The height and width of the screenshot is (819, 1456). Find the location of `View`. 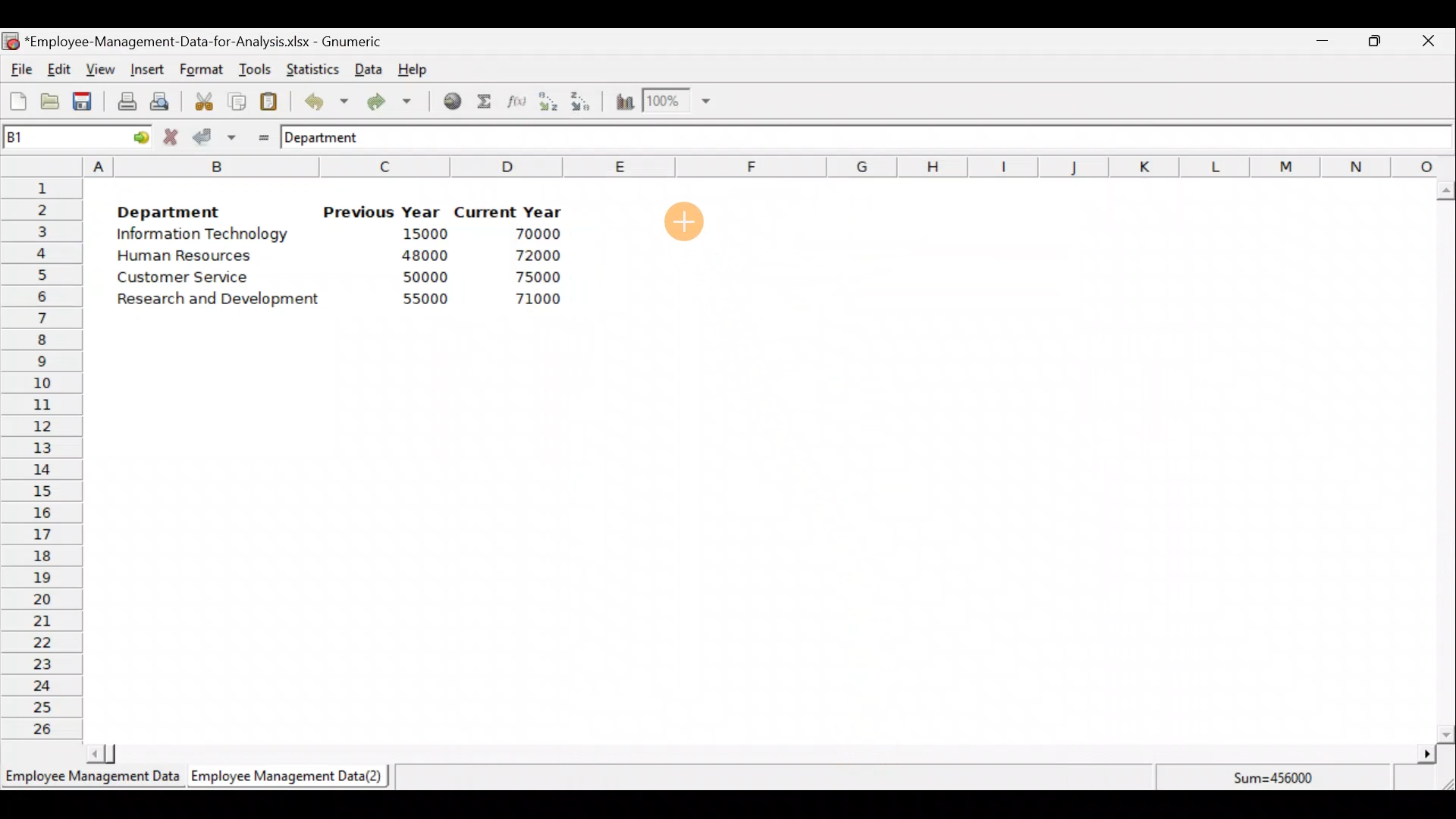

View is located at coordinates (99, 70).